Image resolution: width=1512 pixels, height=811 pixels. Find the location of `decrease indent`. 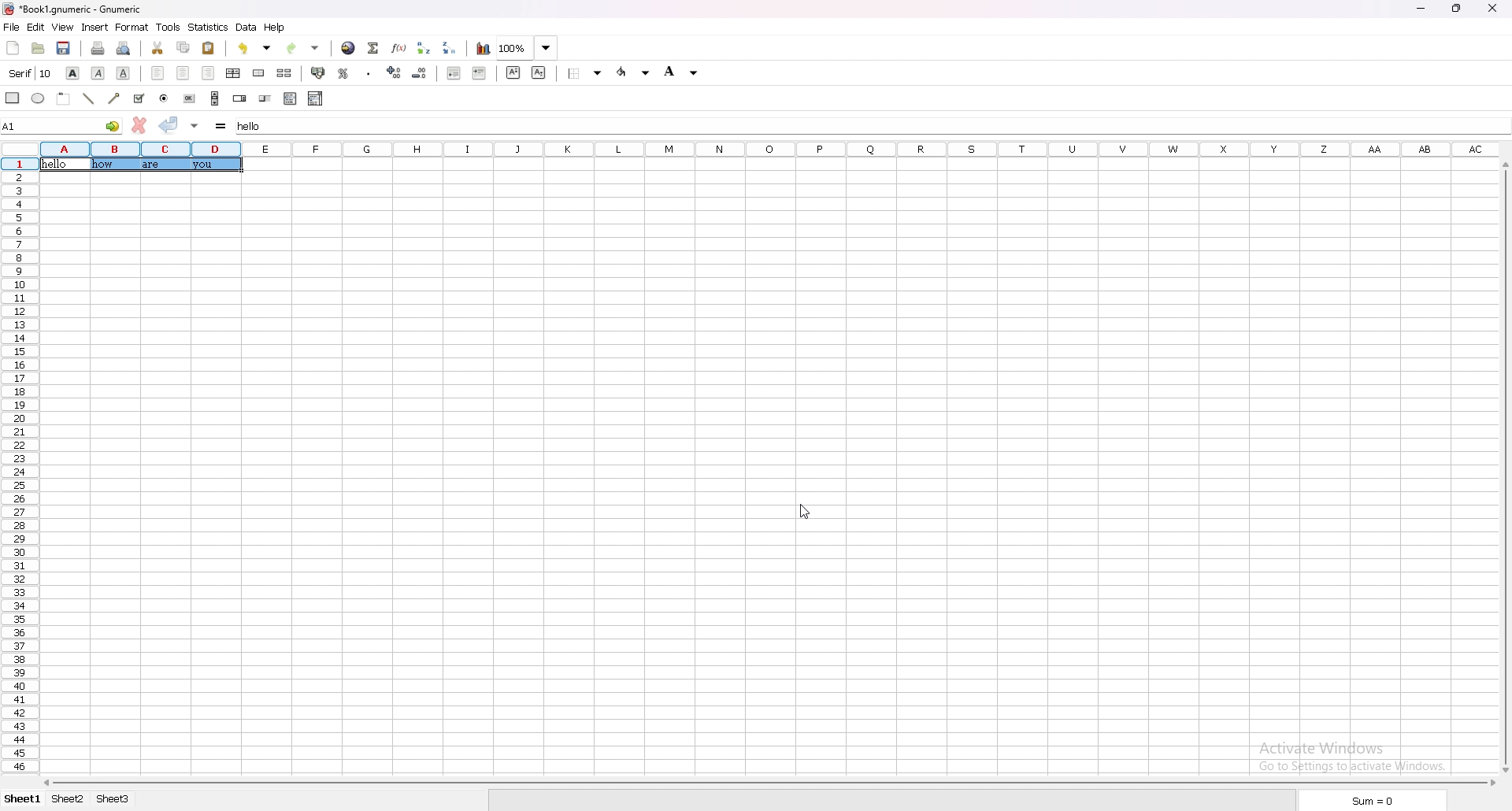

decrease indent is located at coordinates (455, 73).